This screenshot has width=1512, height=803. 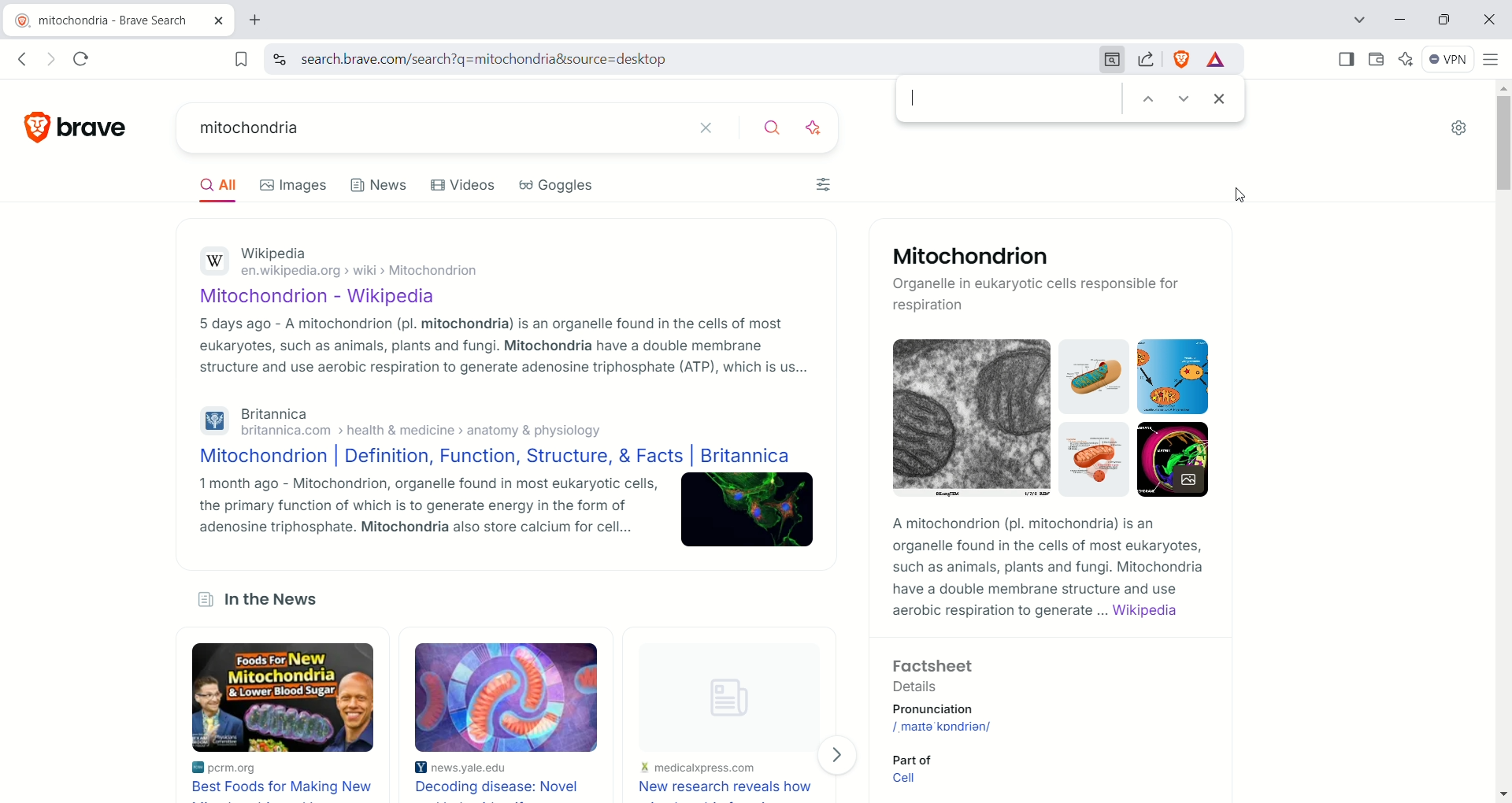 What do you see at coordinates (1180, 60) in the screenshot?
I see `brave shield` at bounding box center [1180, 60].